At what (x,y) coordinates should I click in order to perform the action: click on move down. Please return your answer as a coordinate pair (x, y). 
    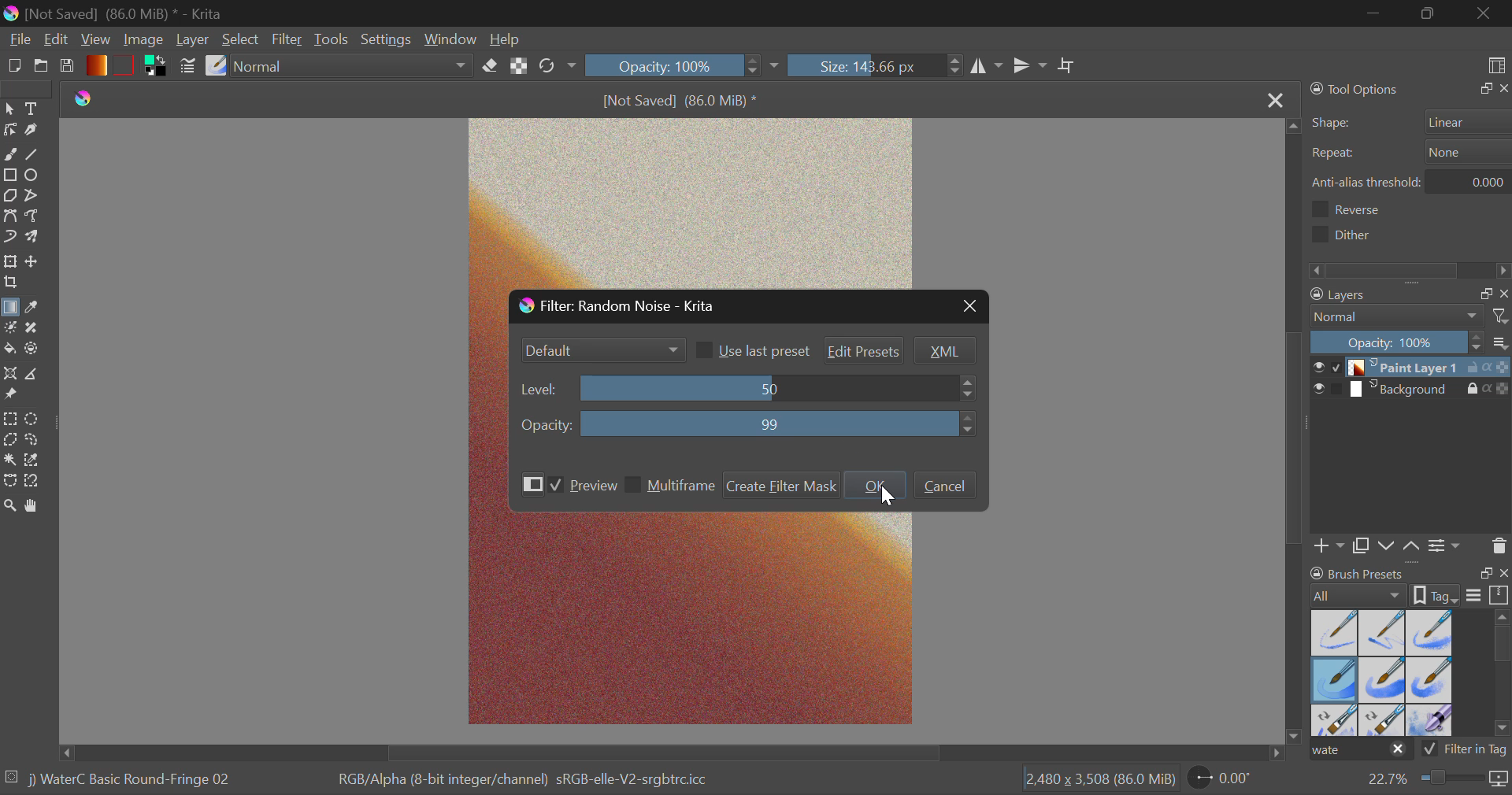
    Looking at the image, I should click on (1295, 731).